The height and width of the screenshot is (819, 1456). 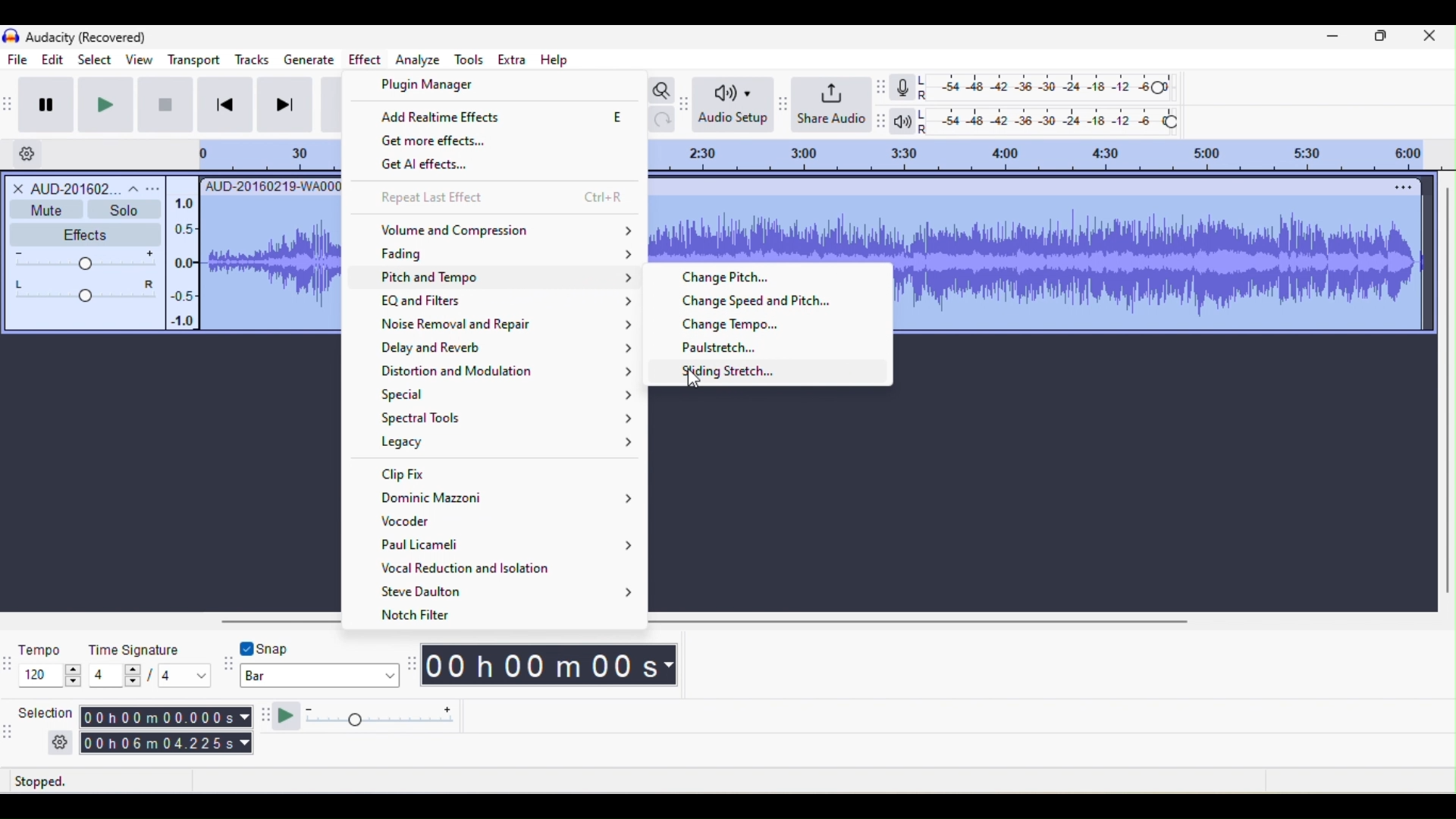 What do you see at coordinates (138, 60) in the screenshot?
I see `view` at bounding box center [138, 60].